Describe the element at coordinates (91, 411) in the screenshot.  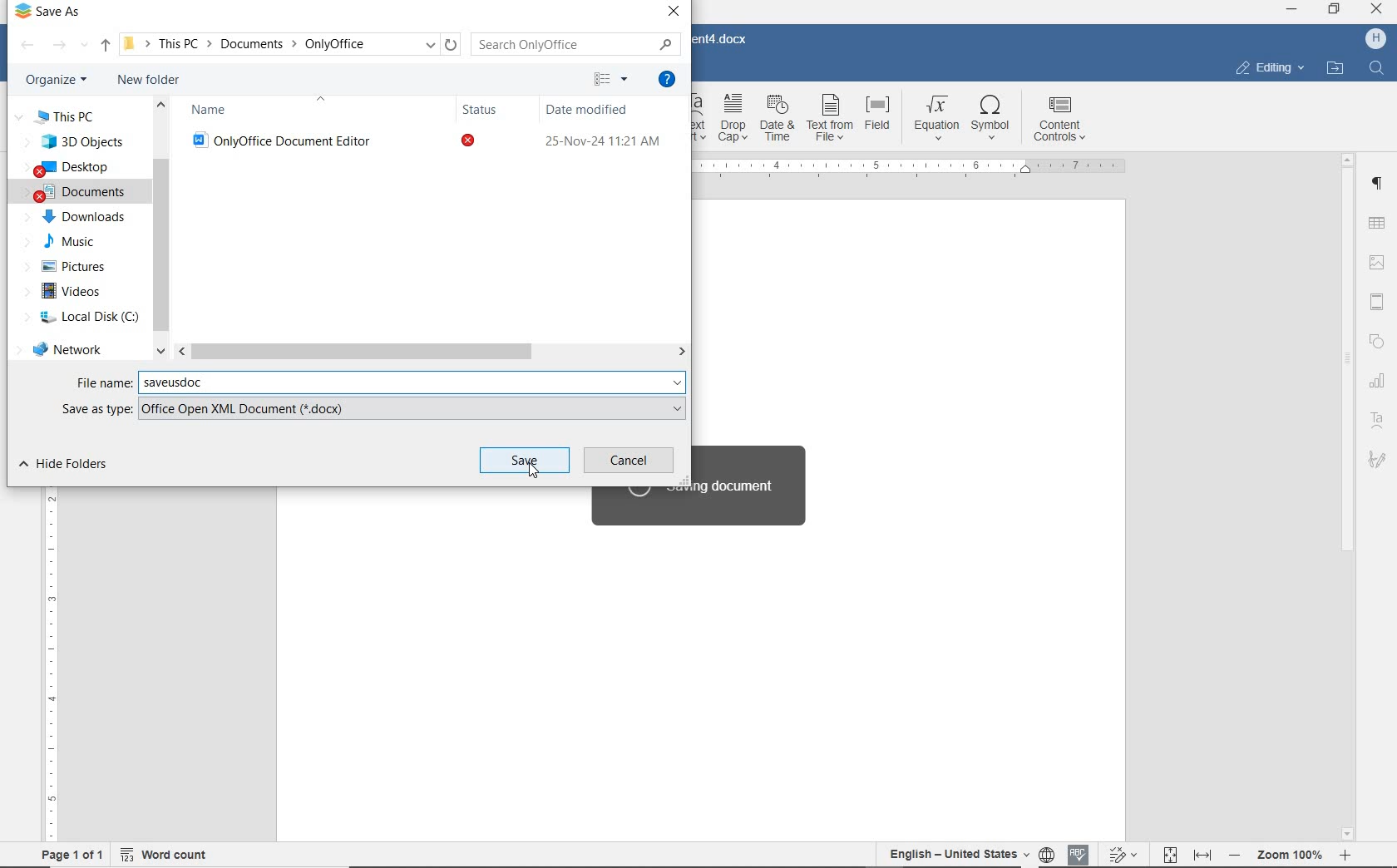
I see `Save as type:` at that location.